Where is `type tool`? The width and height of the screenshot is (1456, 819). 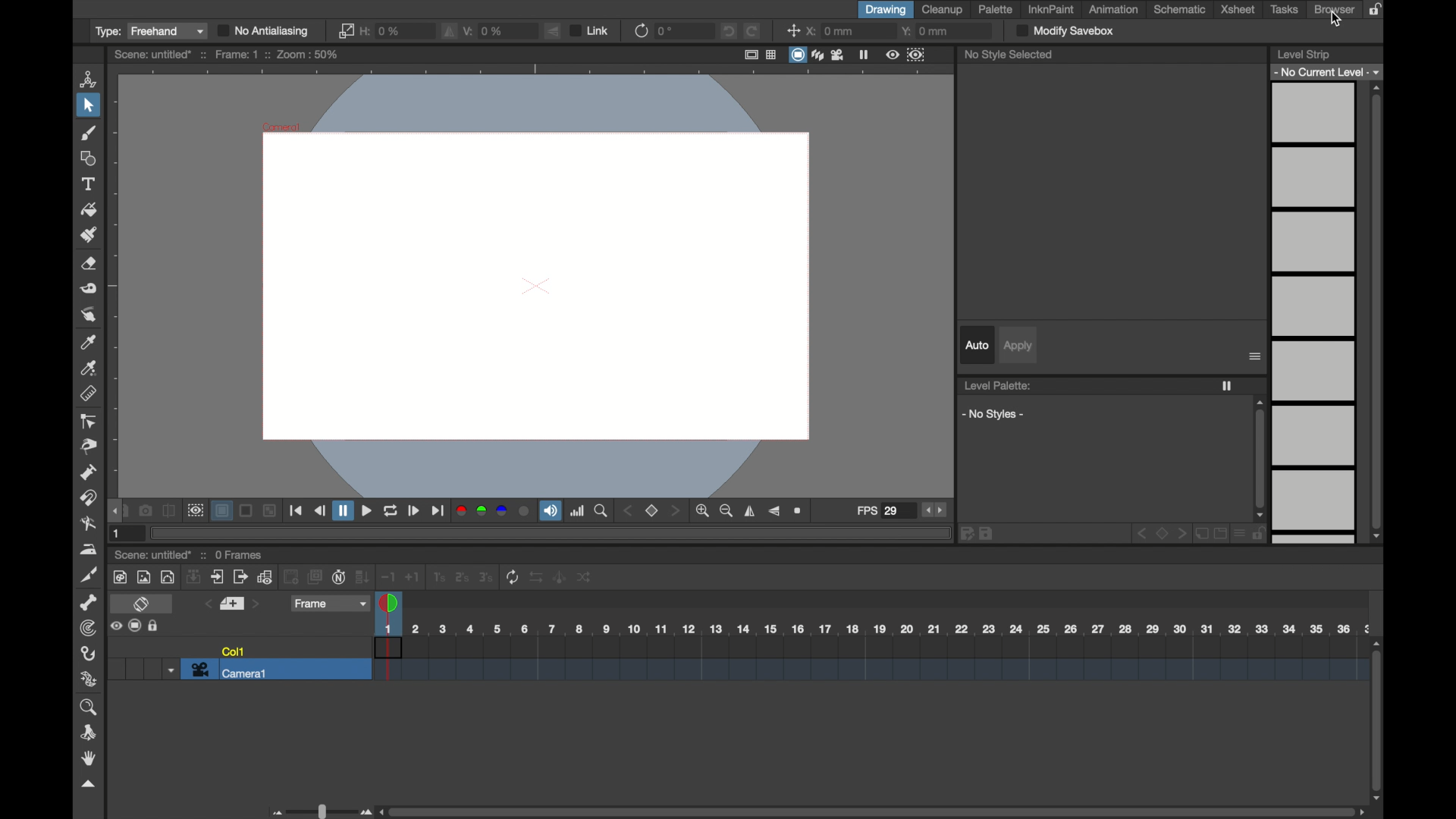
type tool is located at coordinates (90, 184).